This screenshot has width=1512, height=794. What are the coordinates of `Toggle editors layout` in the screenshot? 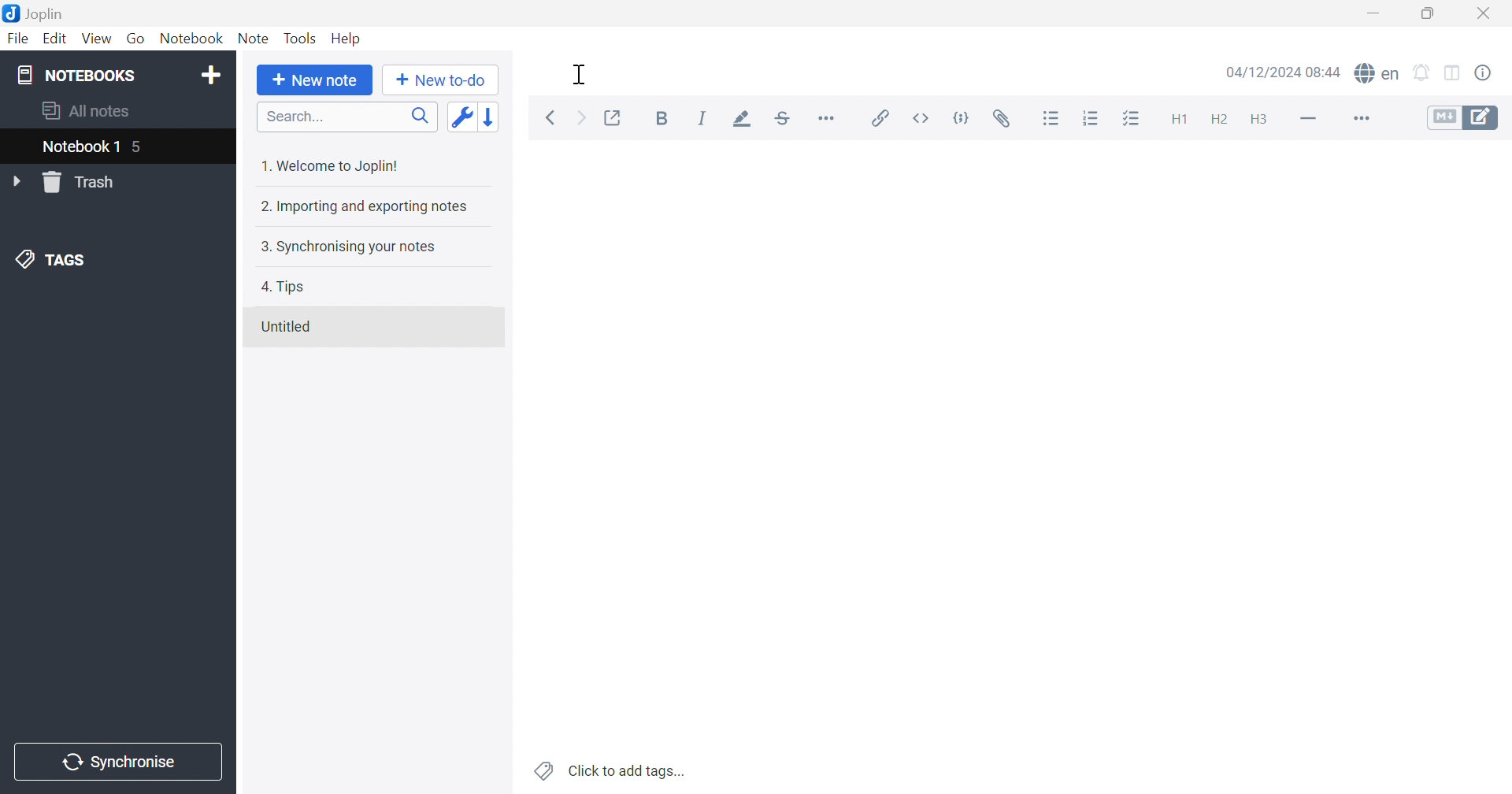 It's located at (1452, 74).